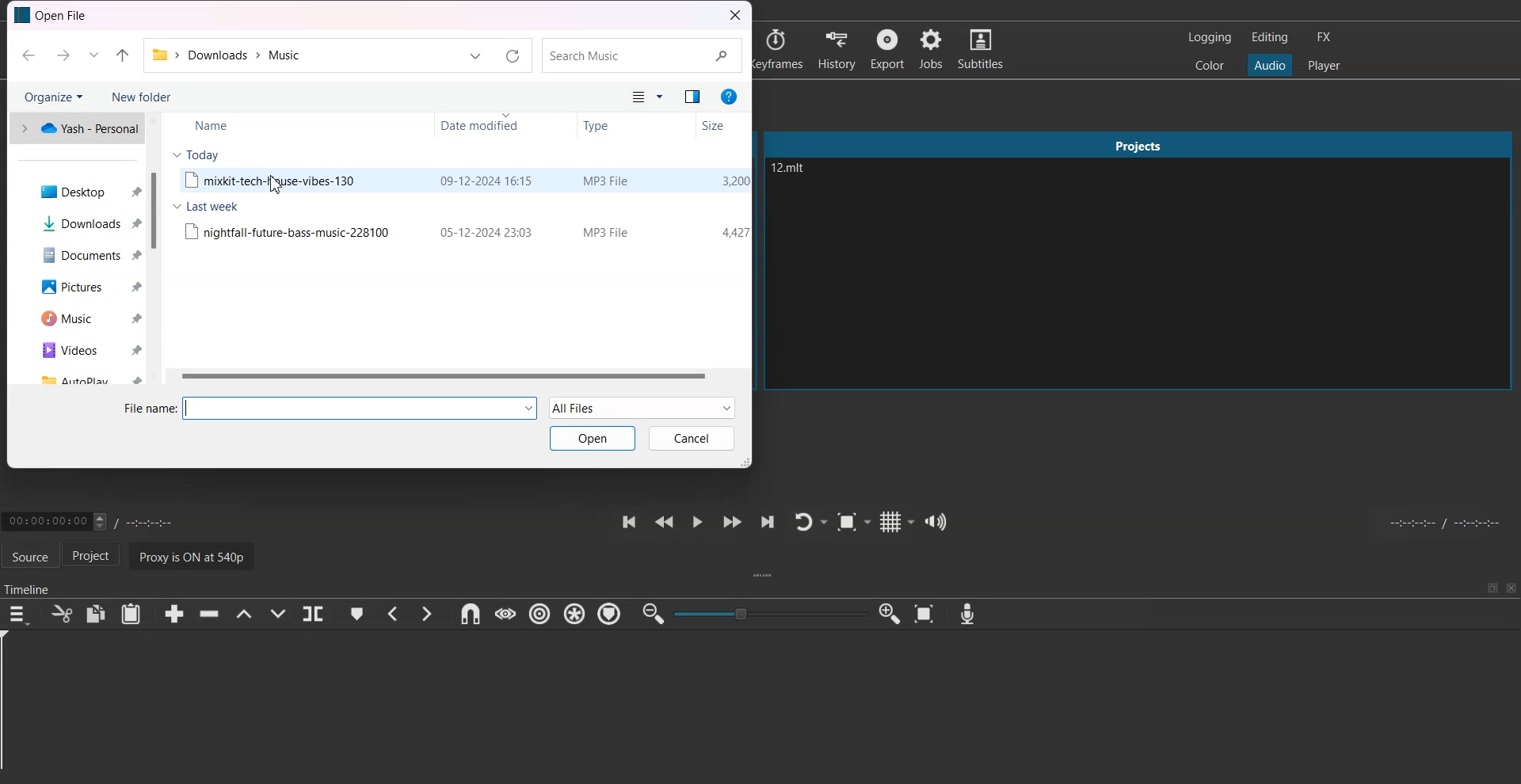  I want to click on Documents, so click(82, 255).